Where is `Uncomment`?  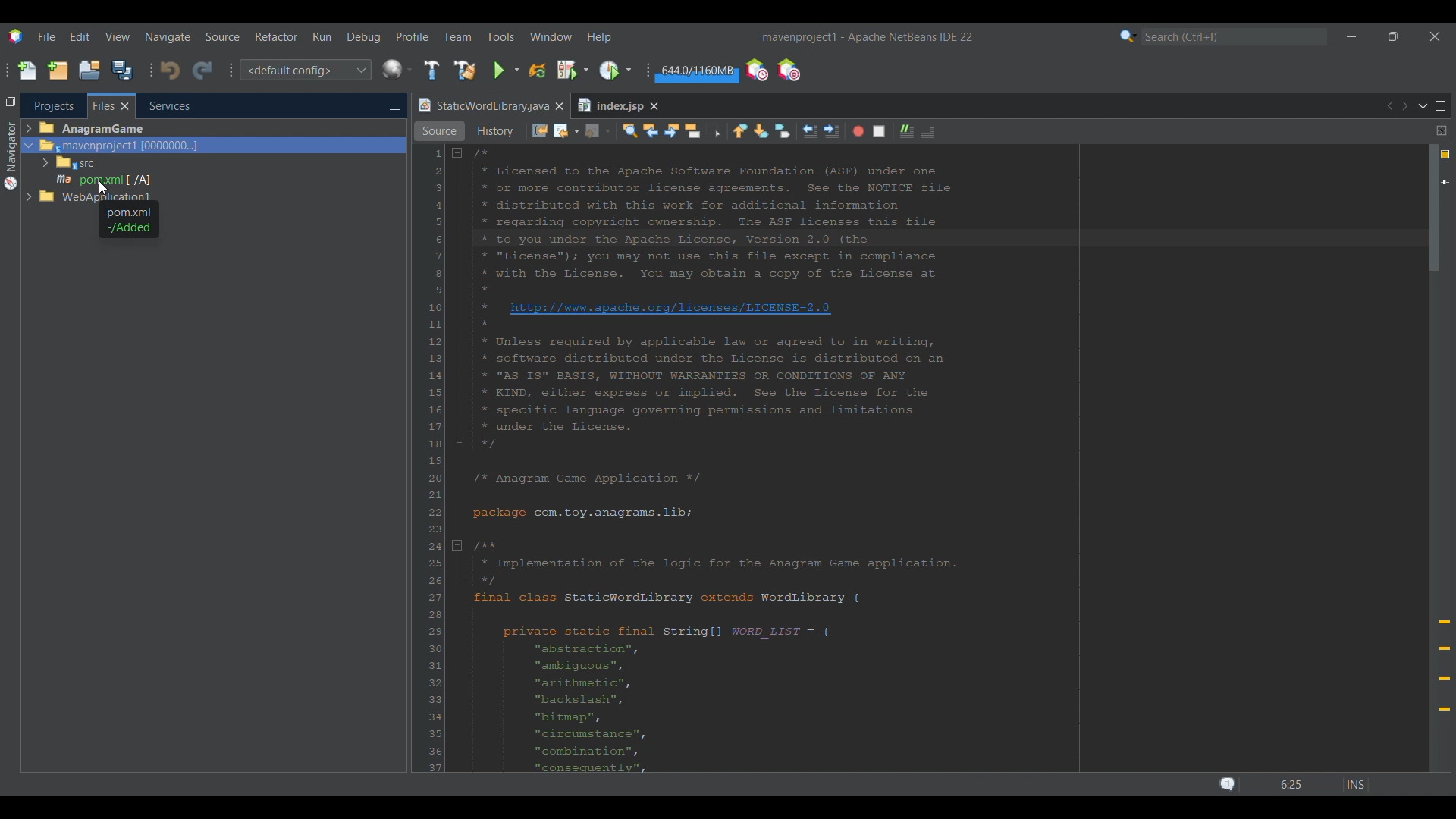 Uncomment is located at coordinates (928, 132).